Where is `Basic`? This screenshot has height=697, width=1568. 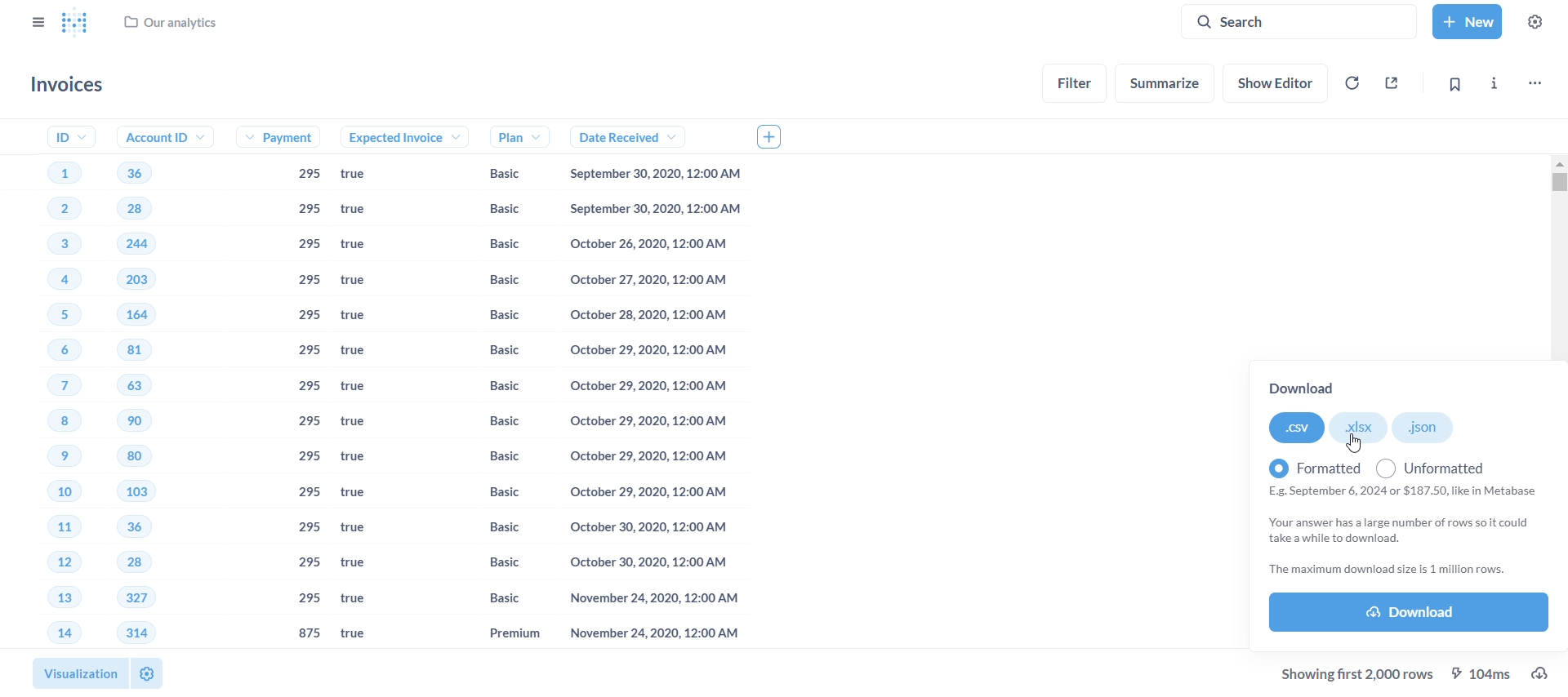 Basic is located at coordinates (497, 385).